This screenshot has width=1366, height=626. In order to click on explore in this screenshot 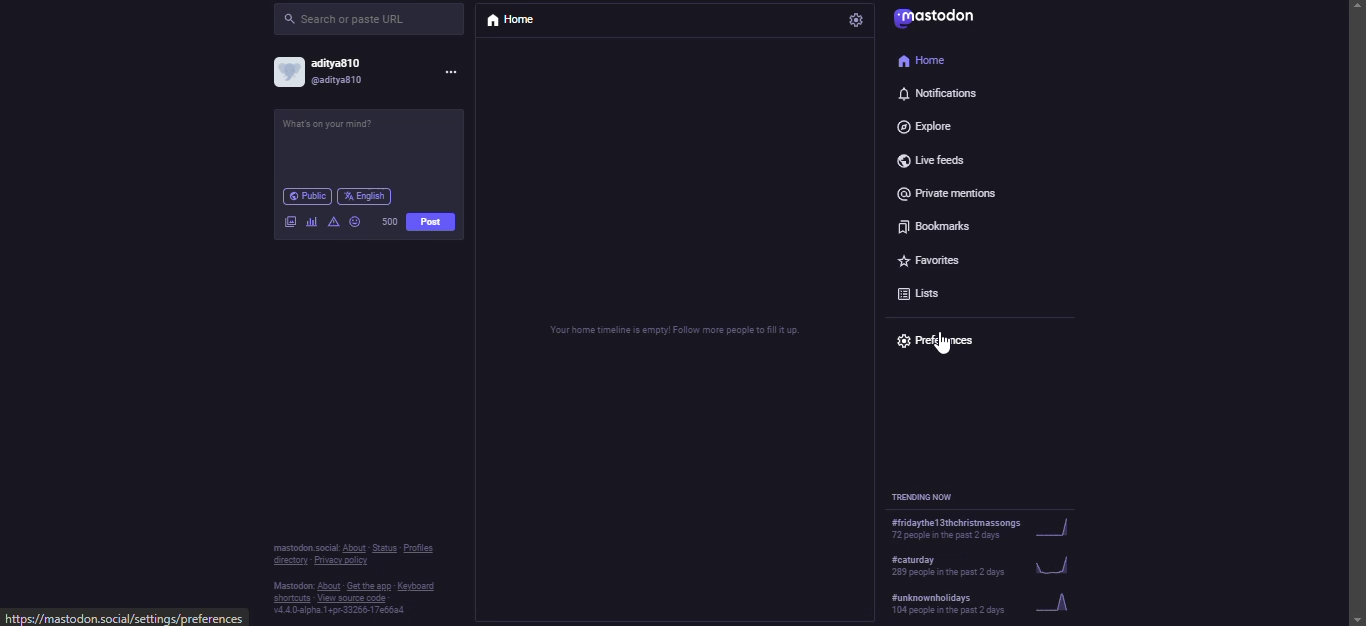, I will do `click(921, 123)`.